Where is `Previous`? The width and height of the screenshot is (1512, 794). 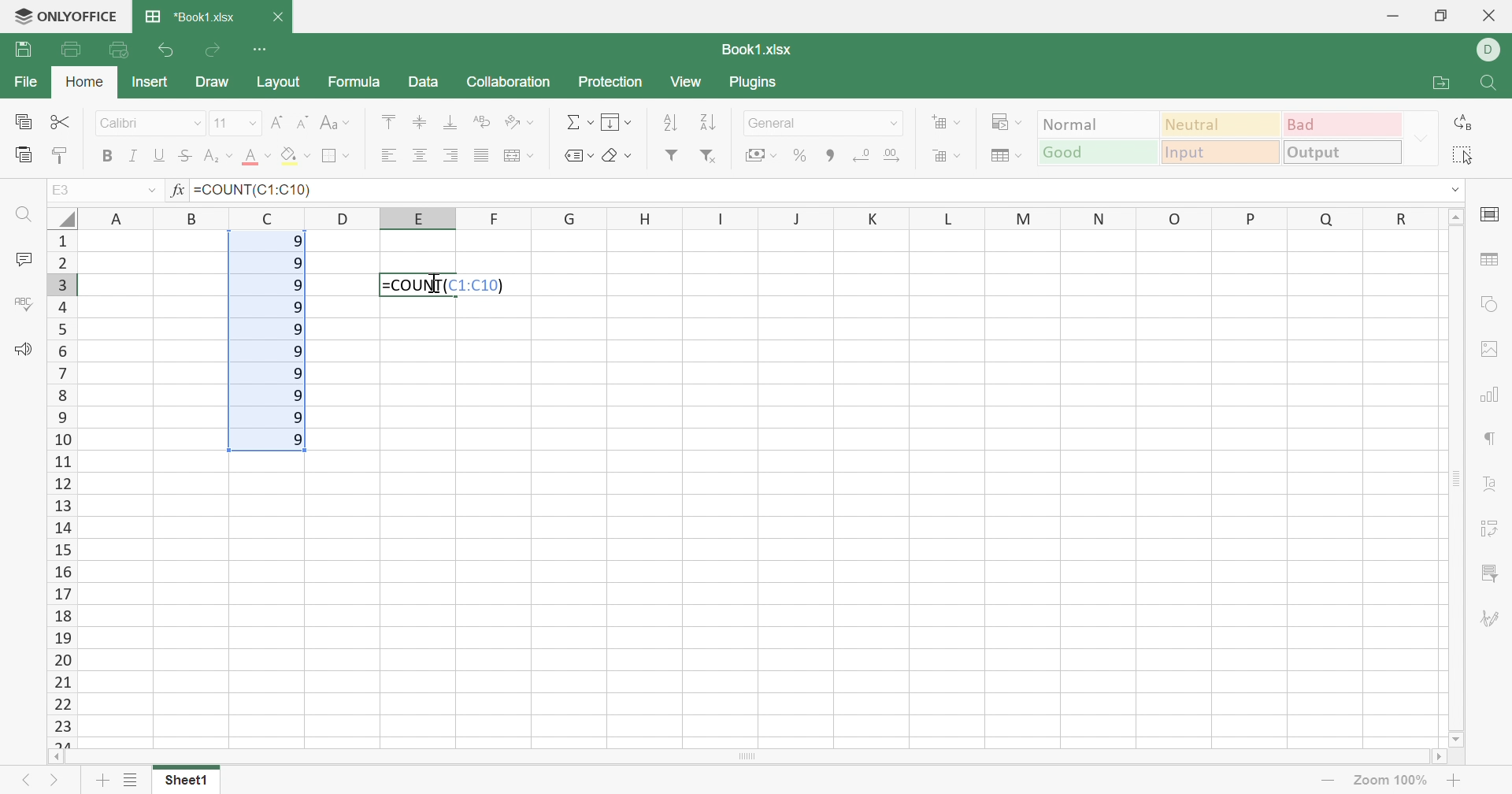 Previous is located at coordinates (26, 781).